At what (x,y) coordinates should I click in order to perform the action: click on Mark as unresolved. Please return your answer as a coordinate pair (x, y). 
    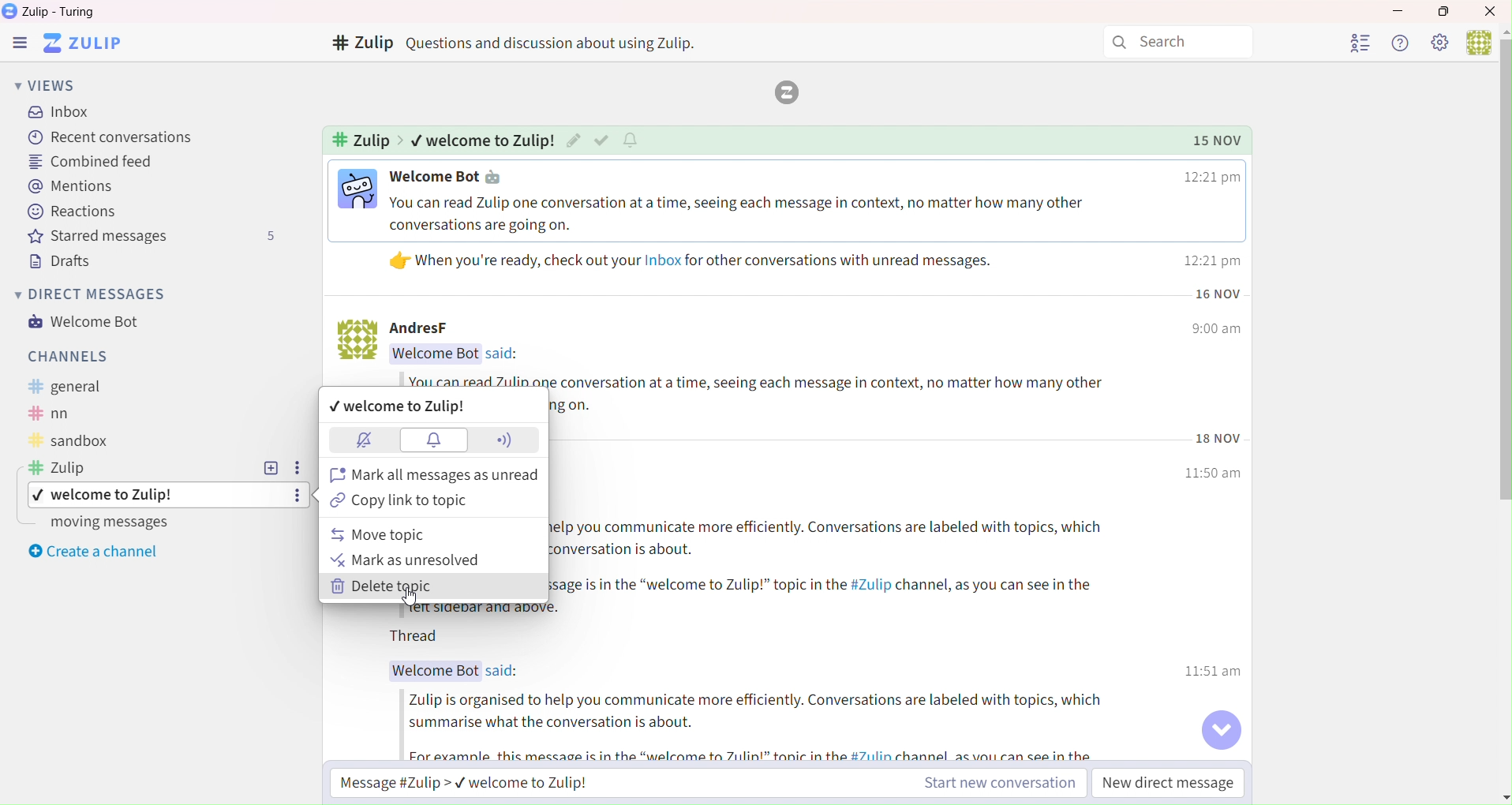
    Looking at the image, I should click on (414, 560).